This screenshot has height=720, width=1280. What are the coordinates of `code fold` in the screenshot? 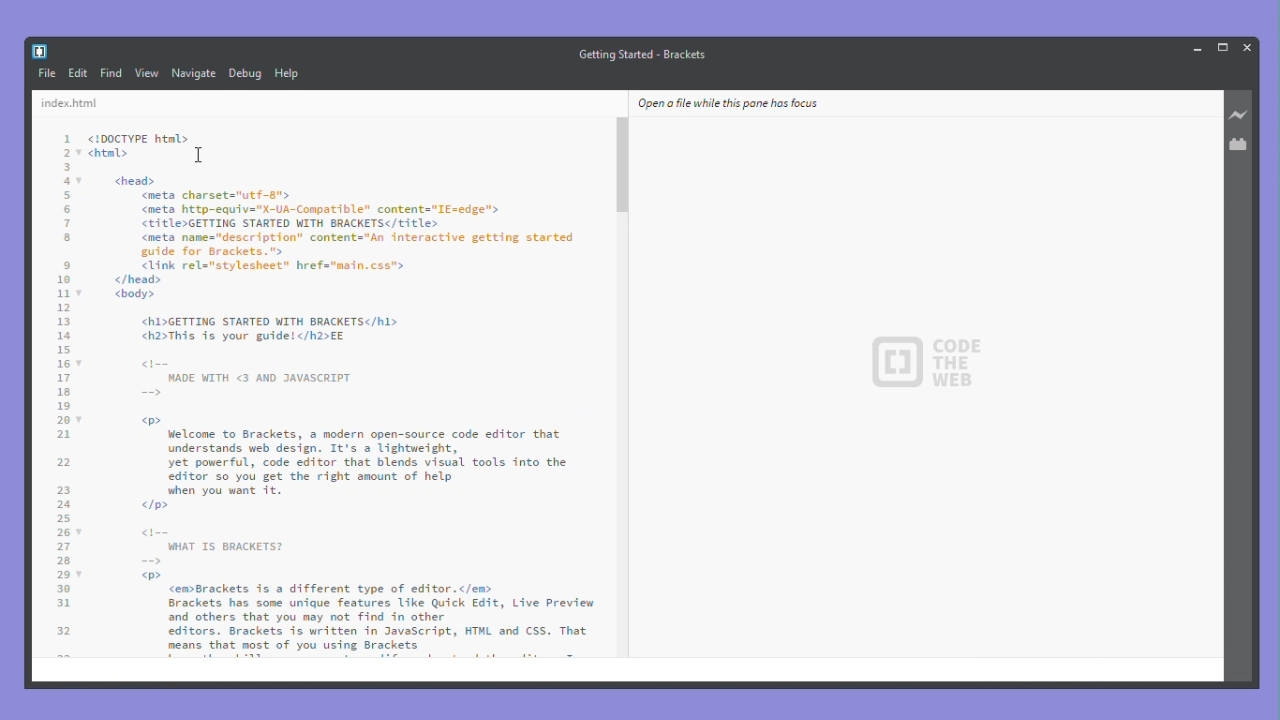 It's located at (81, 420).